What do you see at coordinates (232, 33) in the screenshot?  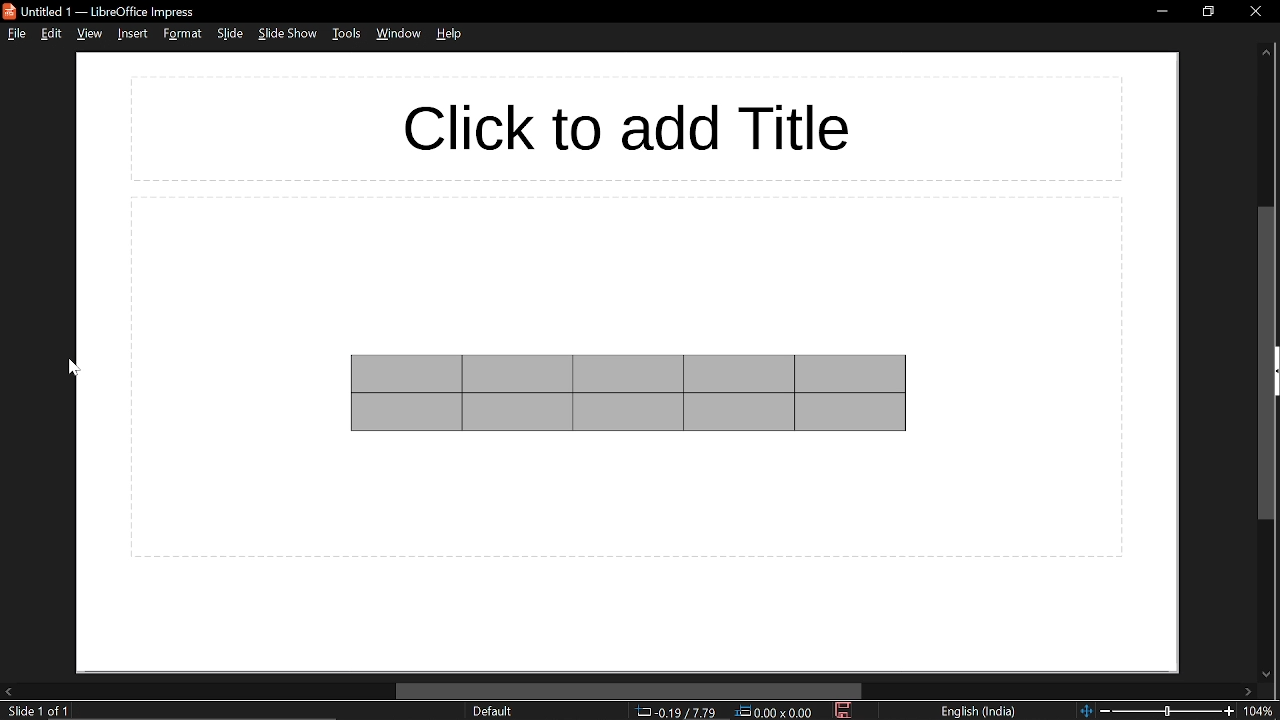 I see `slide` at bounding box center [232, 33].